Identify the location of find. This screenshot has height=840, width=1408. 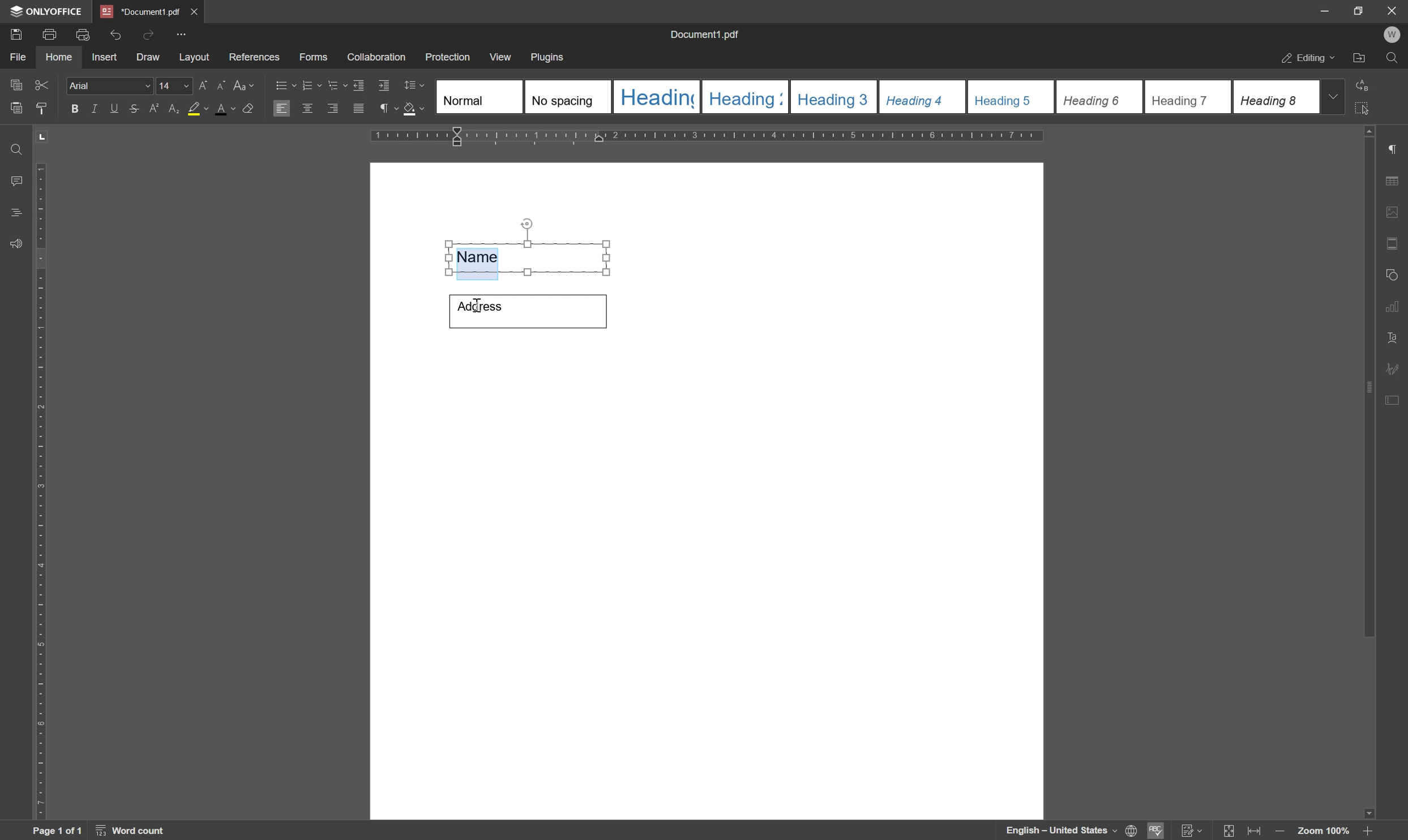
(1395, 61).